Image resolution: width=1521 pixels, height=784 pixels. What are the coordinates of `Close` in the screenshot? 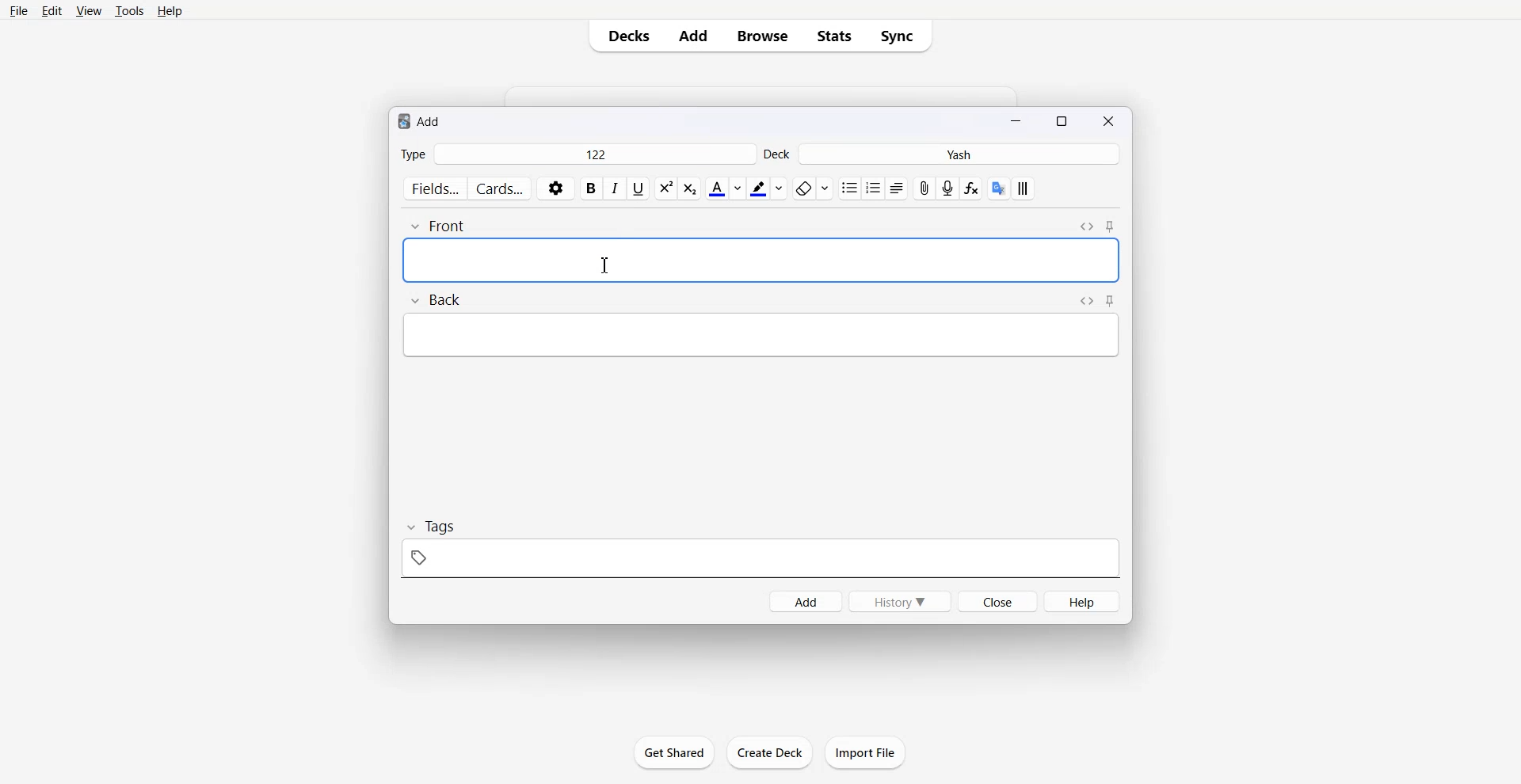 It's located at (1107, 120).